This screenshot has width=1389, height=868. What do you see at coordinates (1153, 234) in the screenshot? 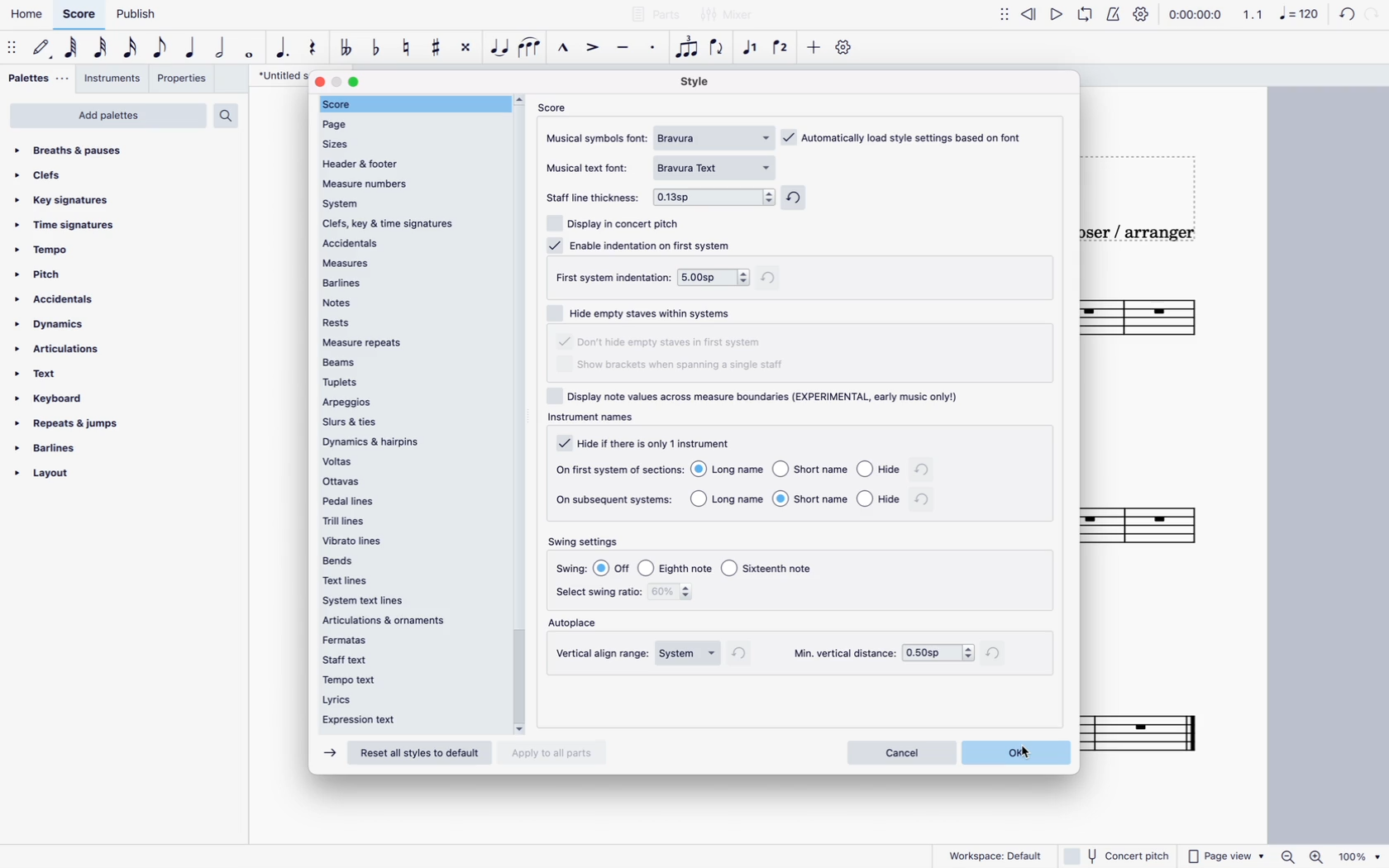
I see `composer / arranger` at bounding box center [1153, 234].